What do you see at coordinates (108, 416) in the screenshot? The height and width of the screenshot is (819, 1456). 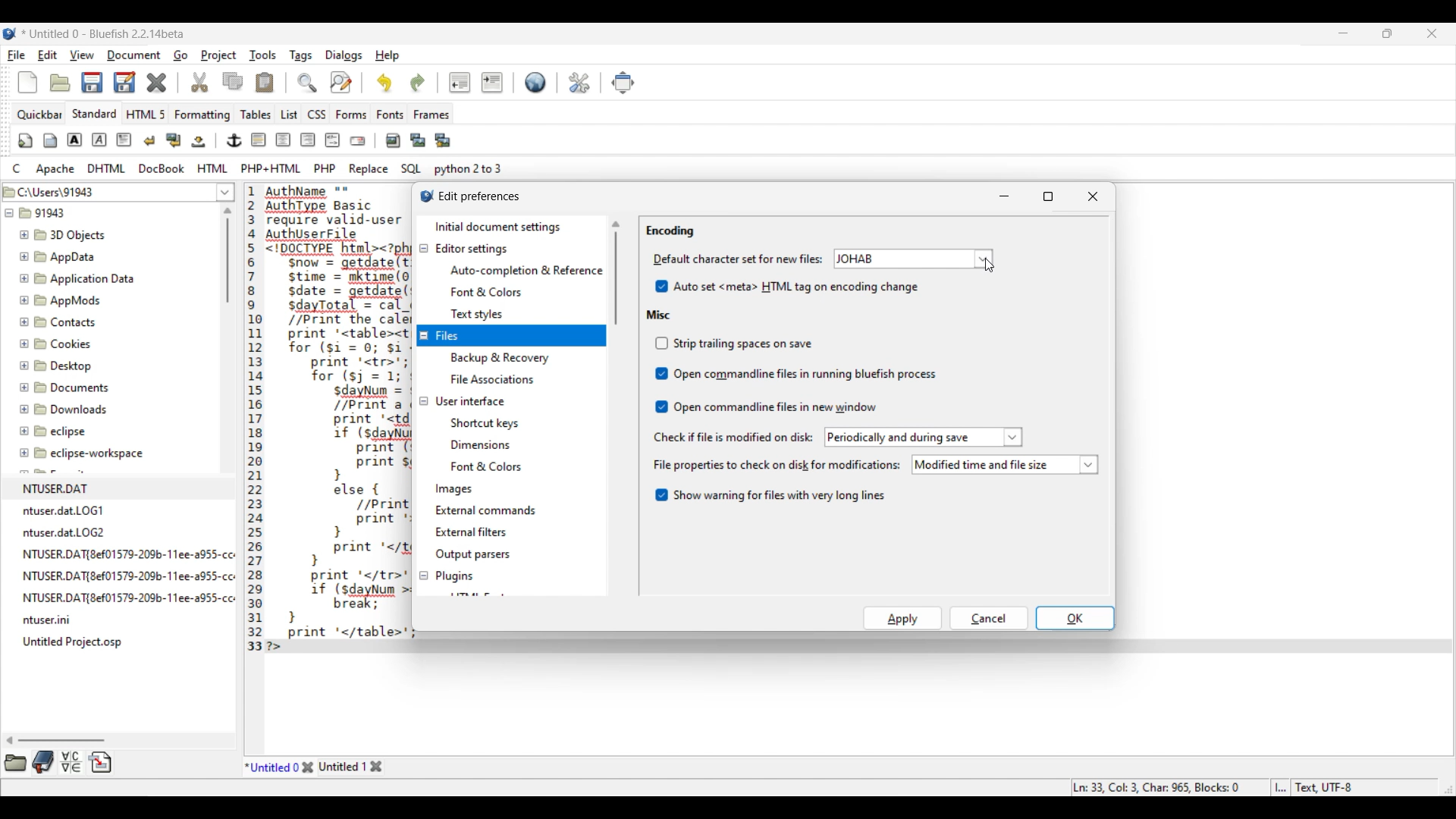 I see `File explorer` at bounding box center [108, 416].